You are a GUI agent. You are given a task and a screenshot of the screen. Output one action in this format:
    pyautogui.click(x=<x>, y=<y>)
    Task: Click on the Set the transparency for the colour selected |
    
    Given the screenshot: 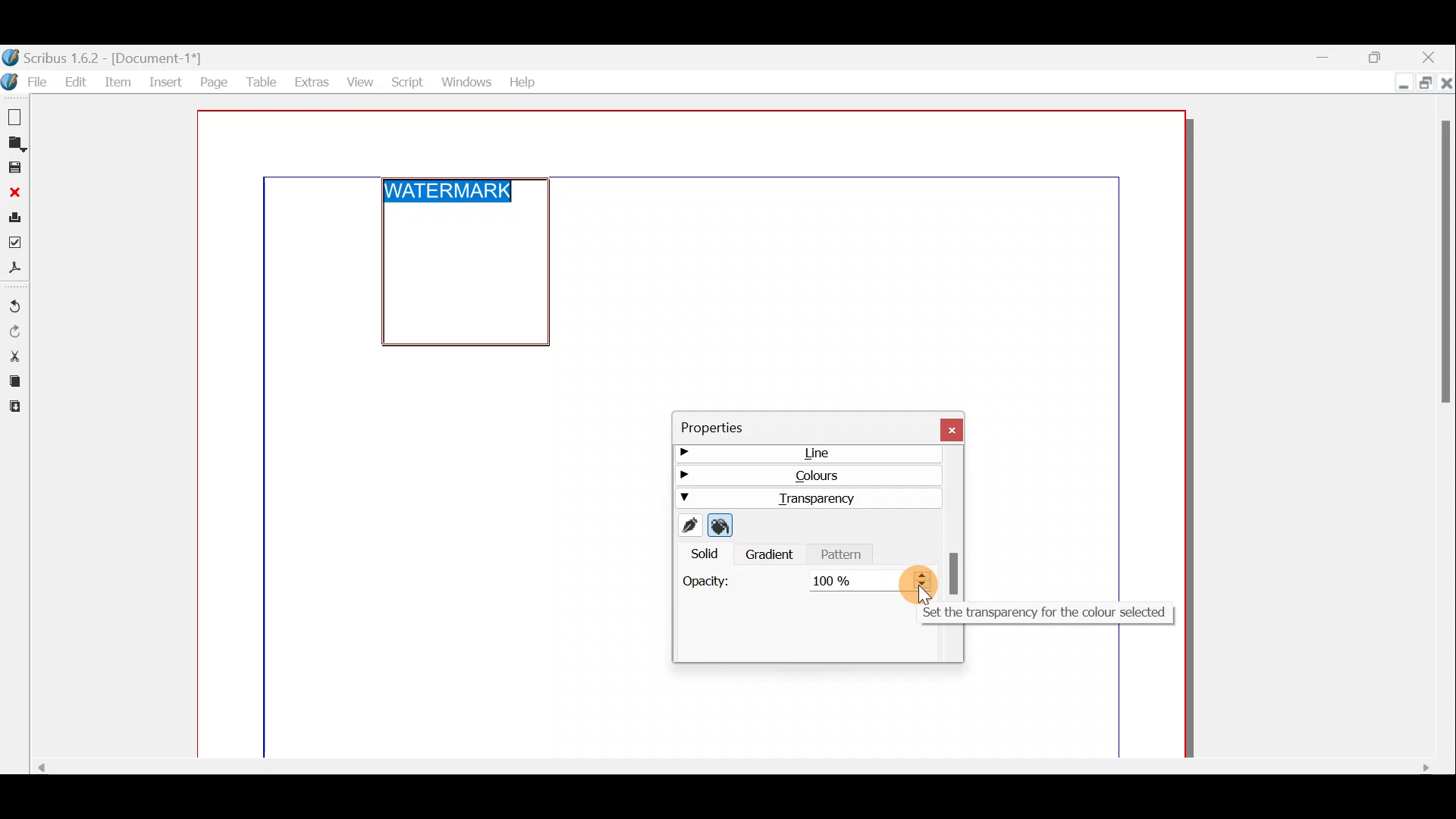 What is the action you would take?
    pyautogui.click(x=1045, y=614)
    